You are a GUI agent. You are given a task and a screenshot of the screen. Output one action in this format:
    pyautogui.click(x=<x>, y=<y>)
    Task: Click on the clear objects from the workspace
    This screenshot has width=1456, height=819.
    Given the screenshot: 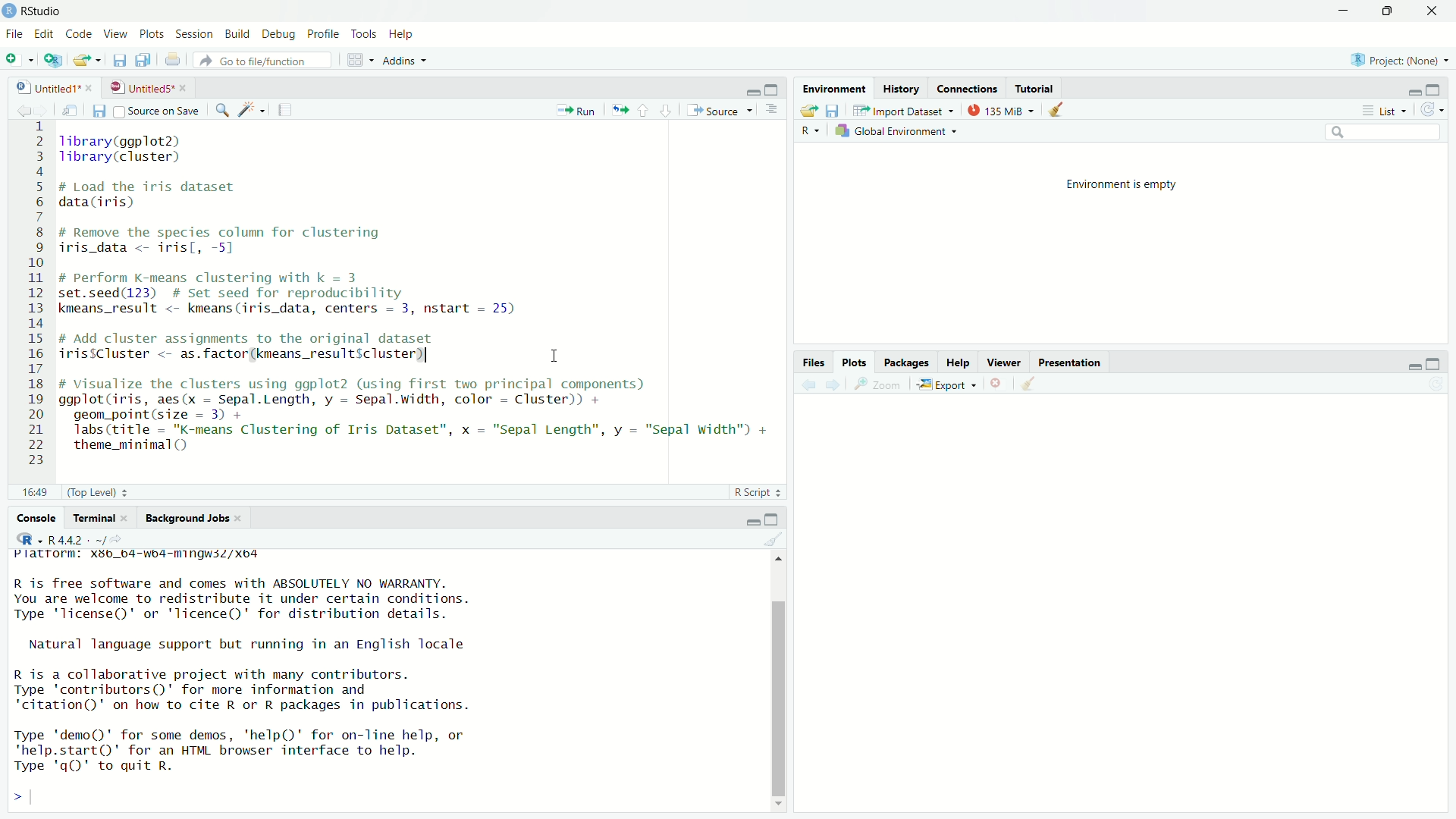 What is the action you would take?
    pyautogui.click(x=1054, y=110)
    